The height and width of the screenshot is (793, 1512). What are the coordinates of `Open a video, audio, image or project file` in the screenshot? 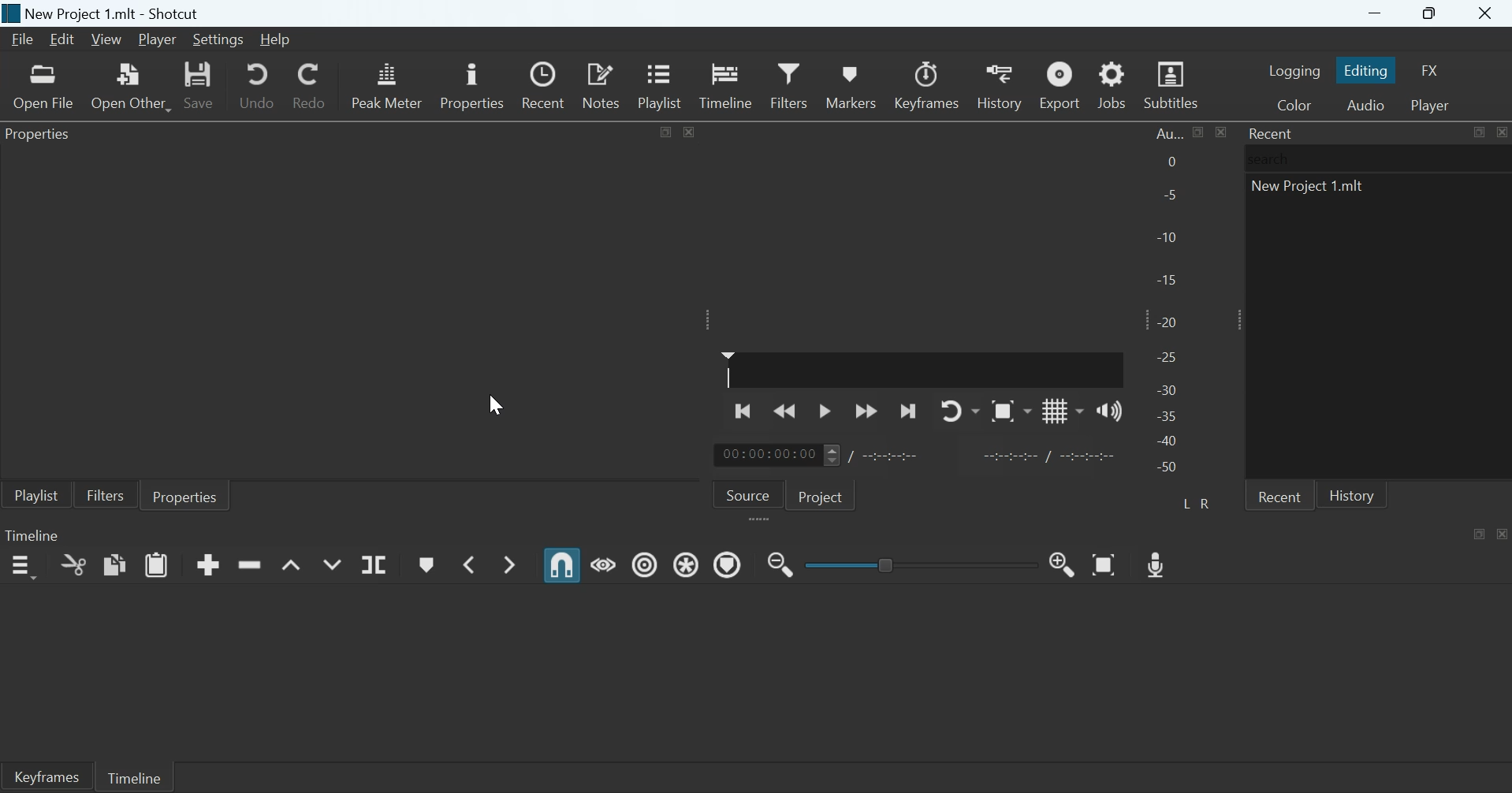 It's located at (44, 87).